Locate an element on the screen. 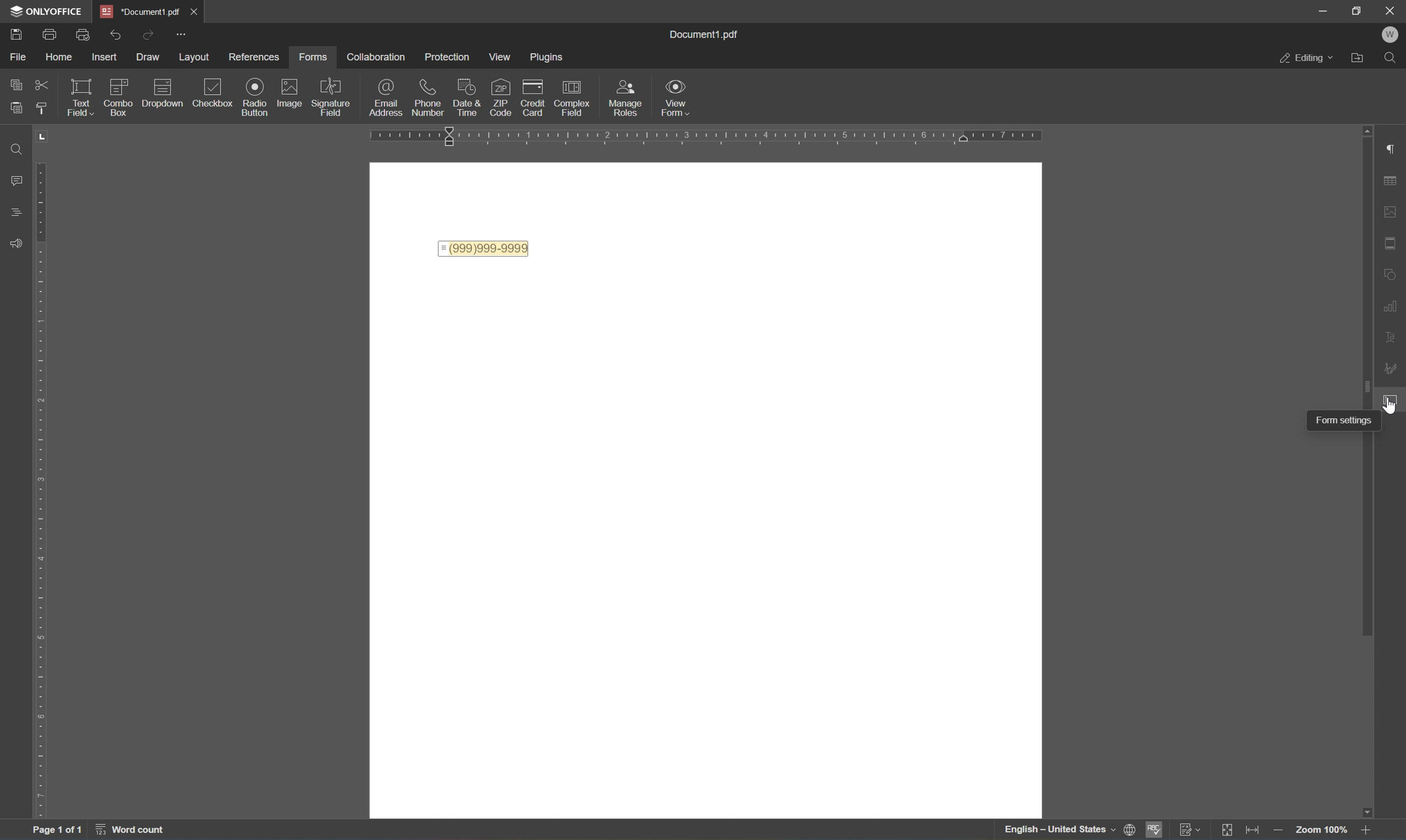 The width and height of the screenshot is (1406, 840). signature settings is located at coordinates (1392, 370).